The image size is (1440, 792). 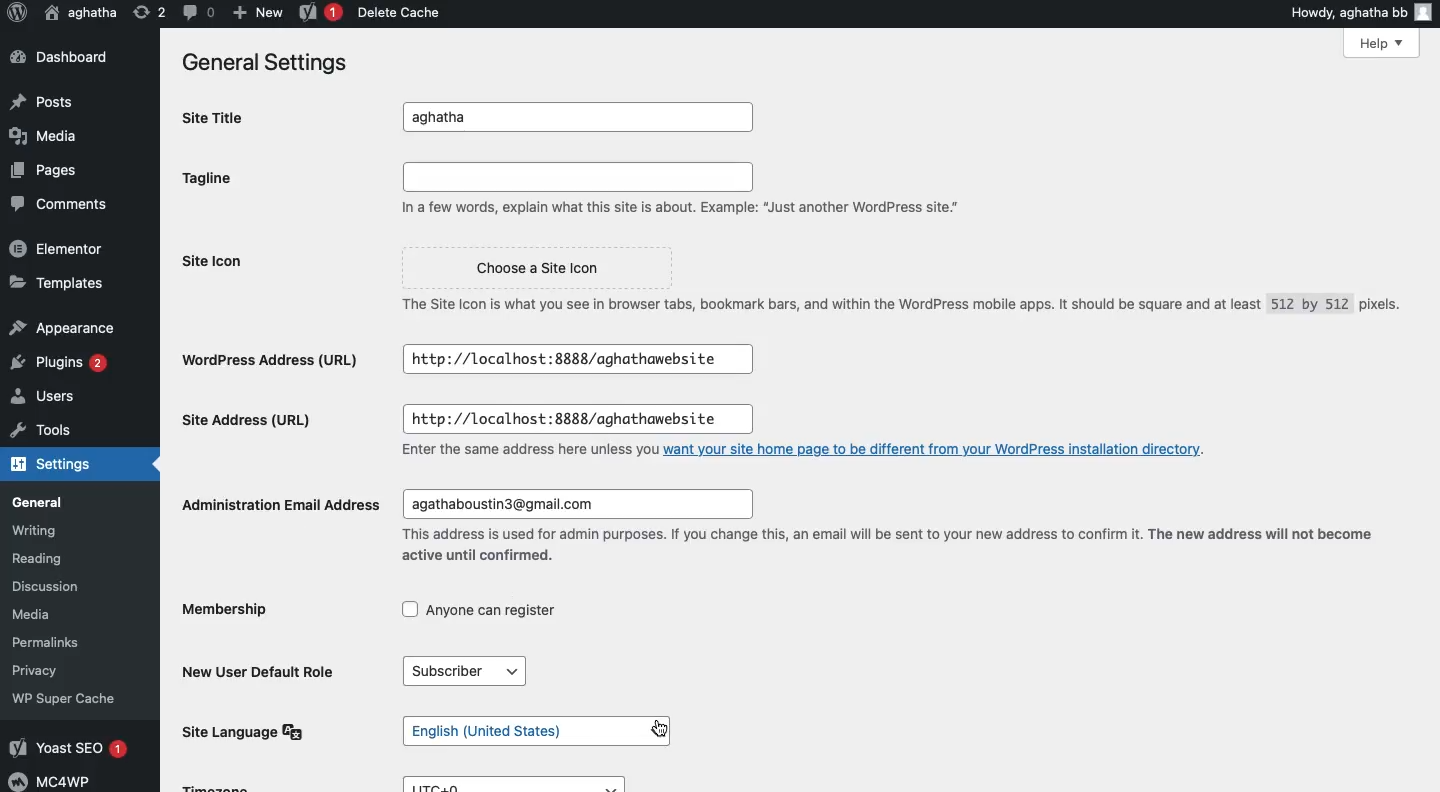 I want to click on Delete cache, so click(x=396, y=12).